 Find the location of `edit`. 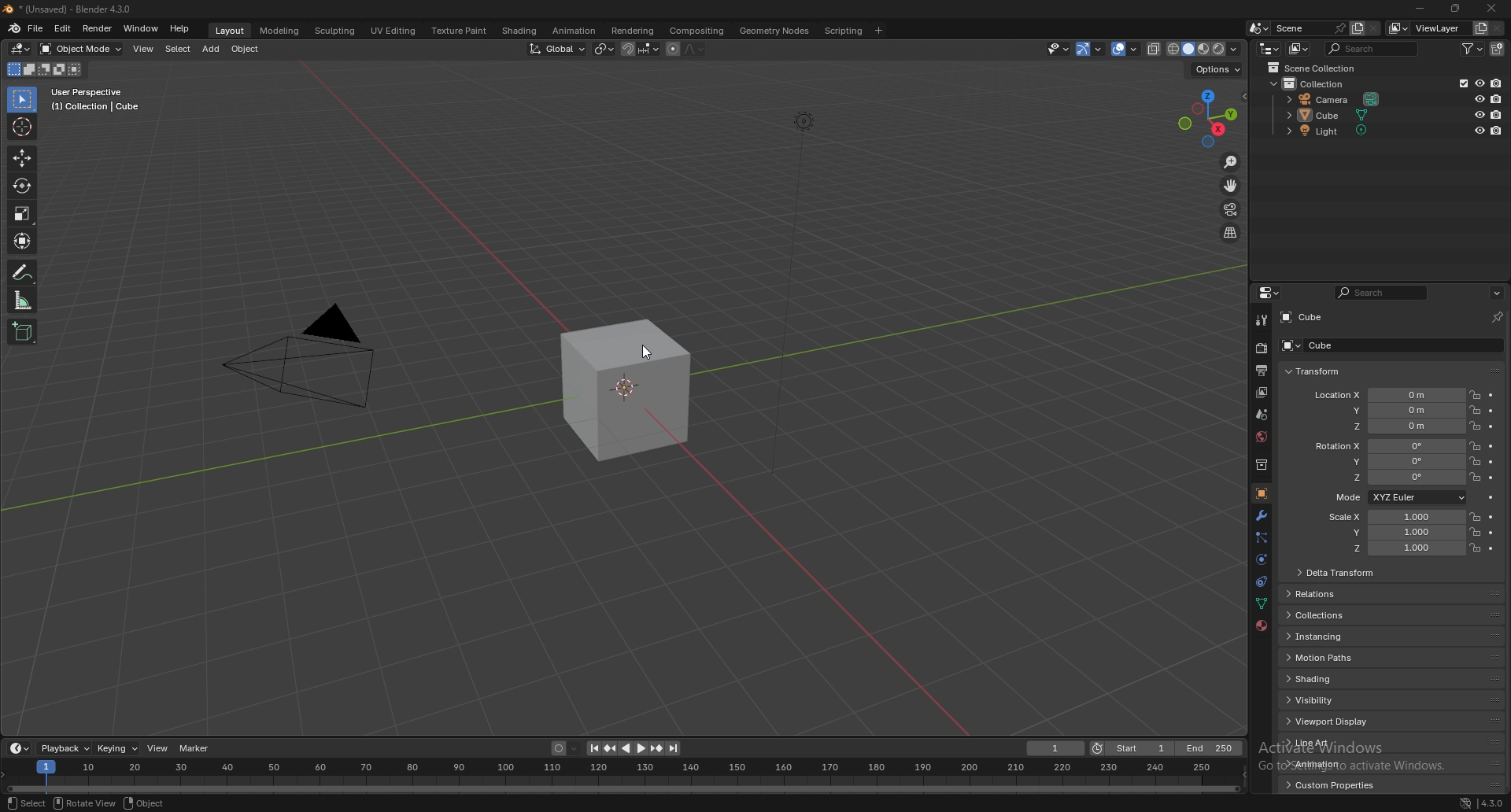

edit is located at coordinates (64, 28).